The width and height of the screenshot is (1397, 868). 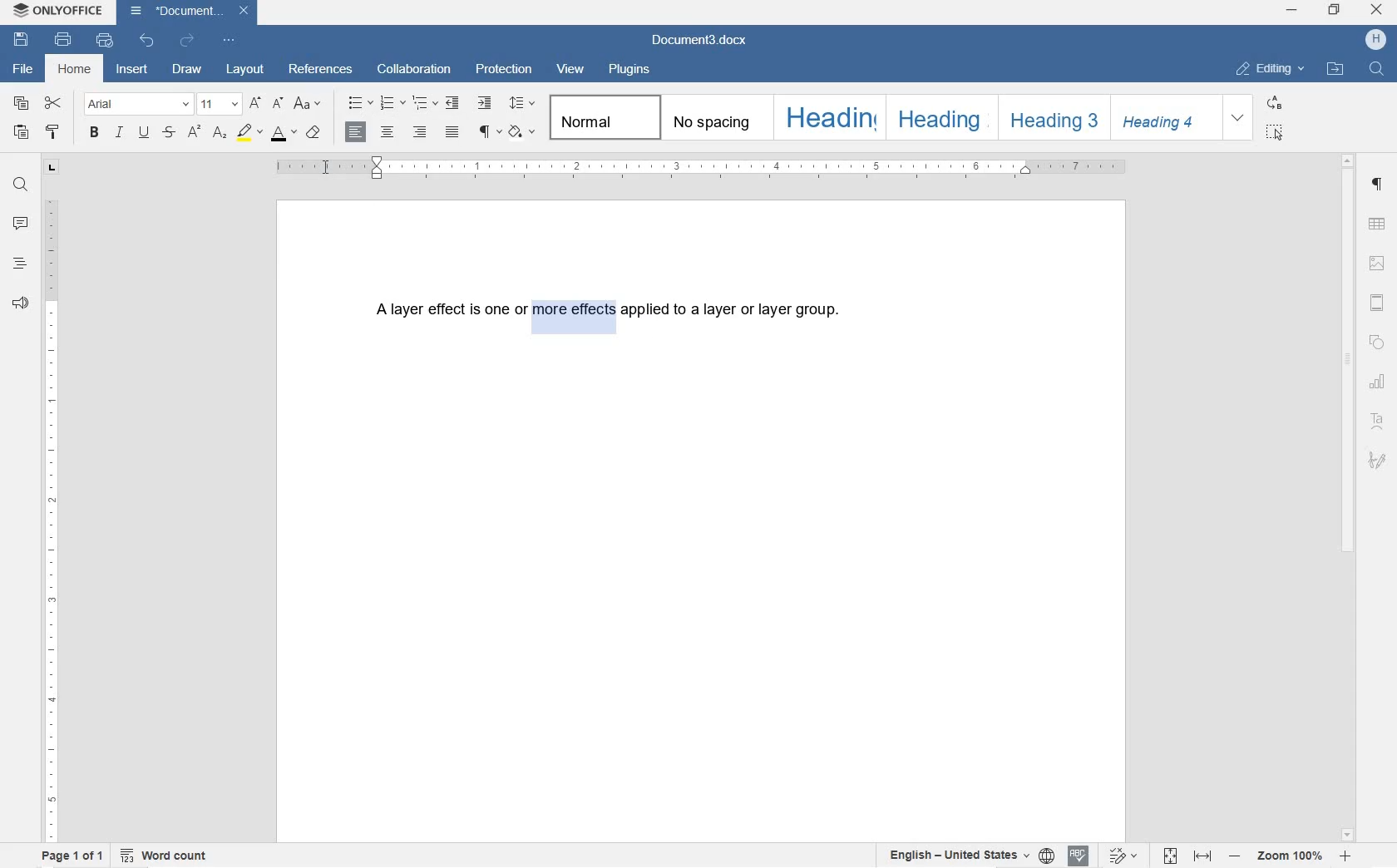 What do you see at coordinates (705, 169) in the screenshot?
I see `RULER` at bounding box center [705, 169].